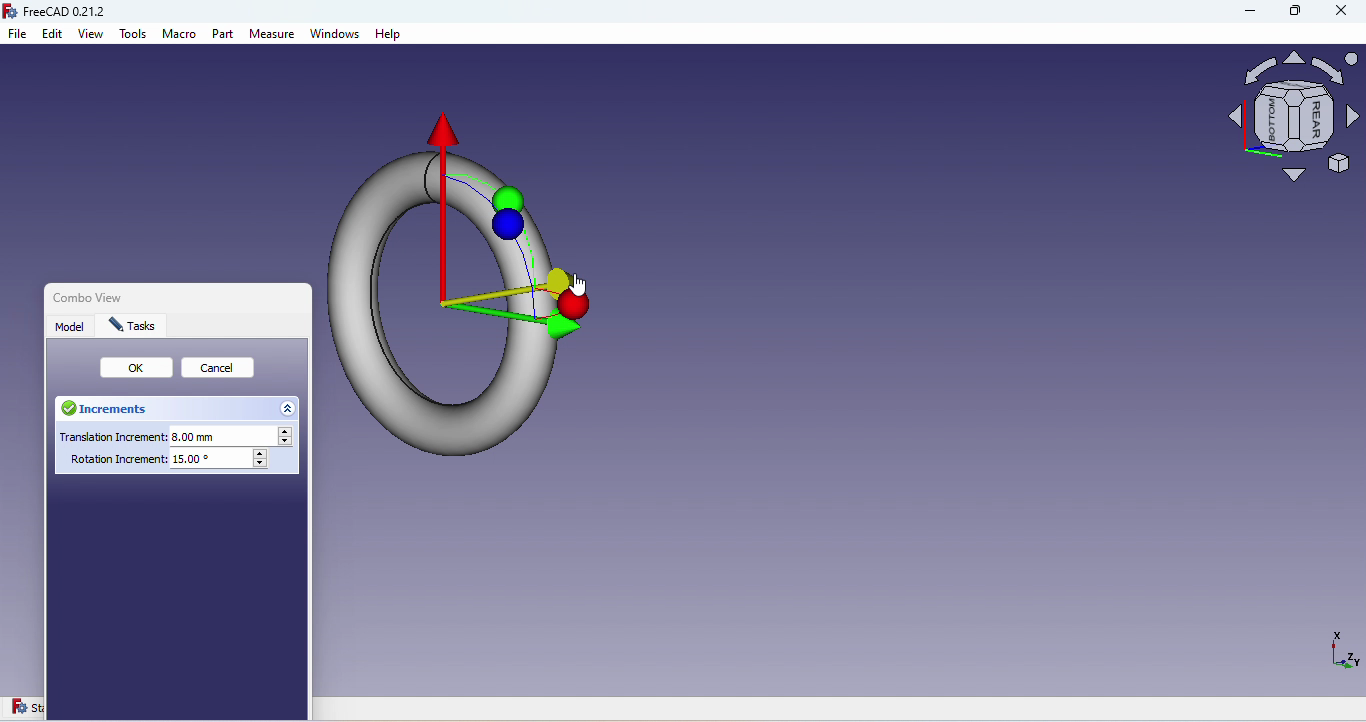 The image size is (1366, 722). Describe the element at coordinates (134, 326) in the screenshot. I see `Tasks` at that location.